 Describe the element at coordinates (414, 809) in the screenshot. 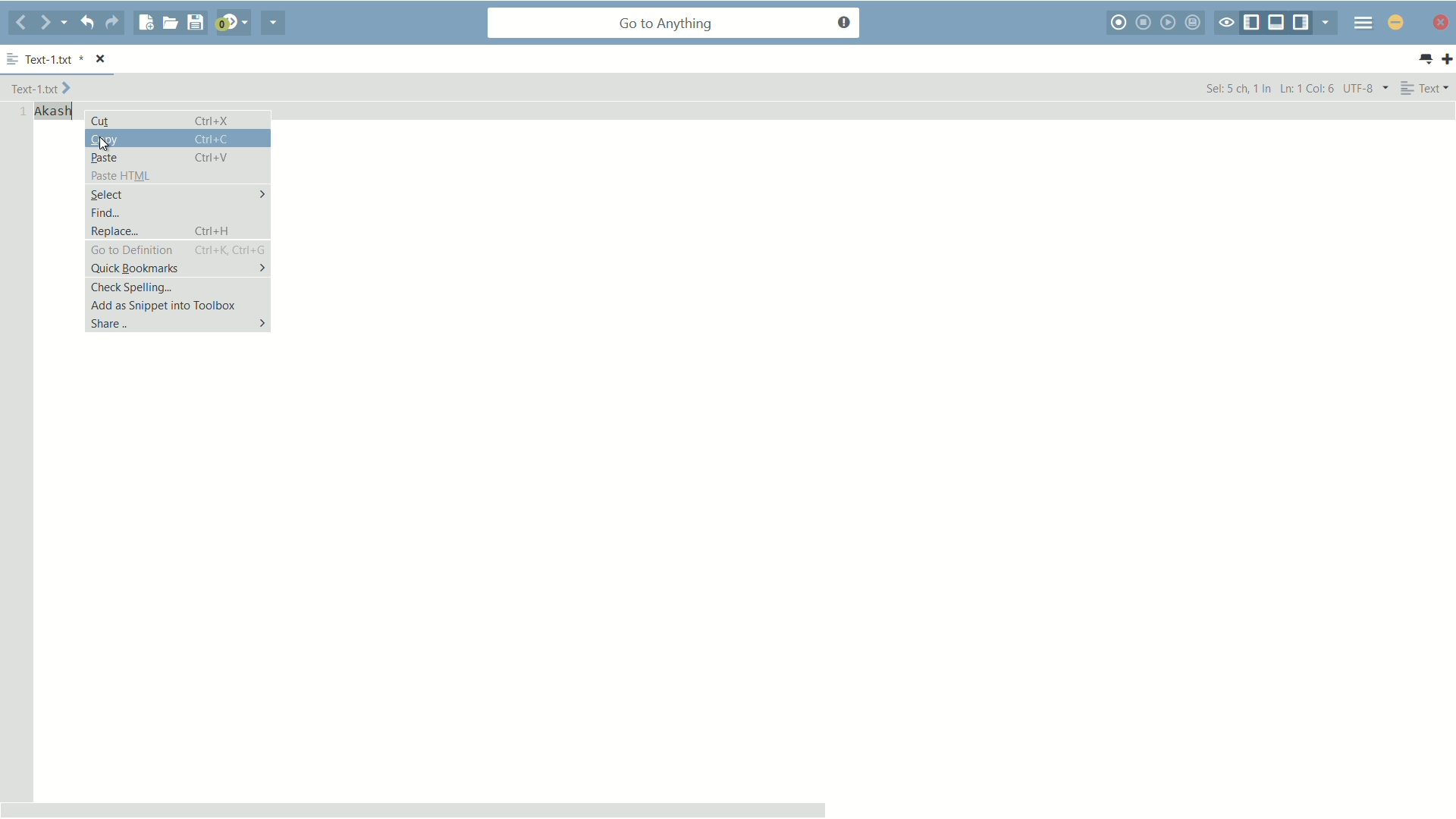

I see `scroll bar` at that location.